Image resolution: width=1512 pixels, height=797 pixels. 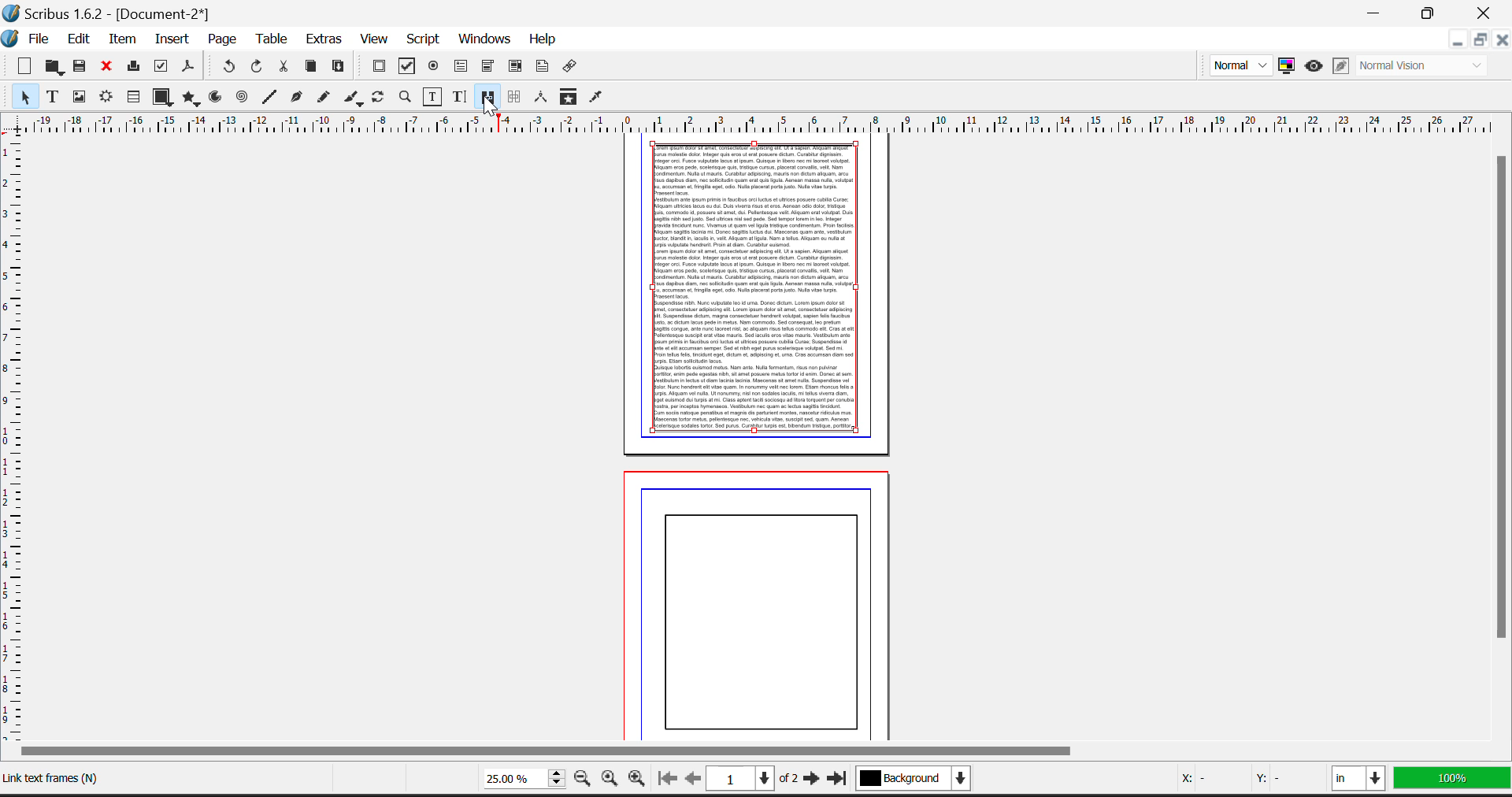 I want to click on Table, so click(x=272, y=41).